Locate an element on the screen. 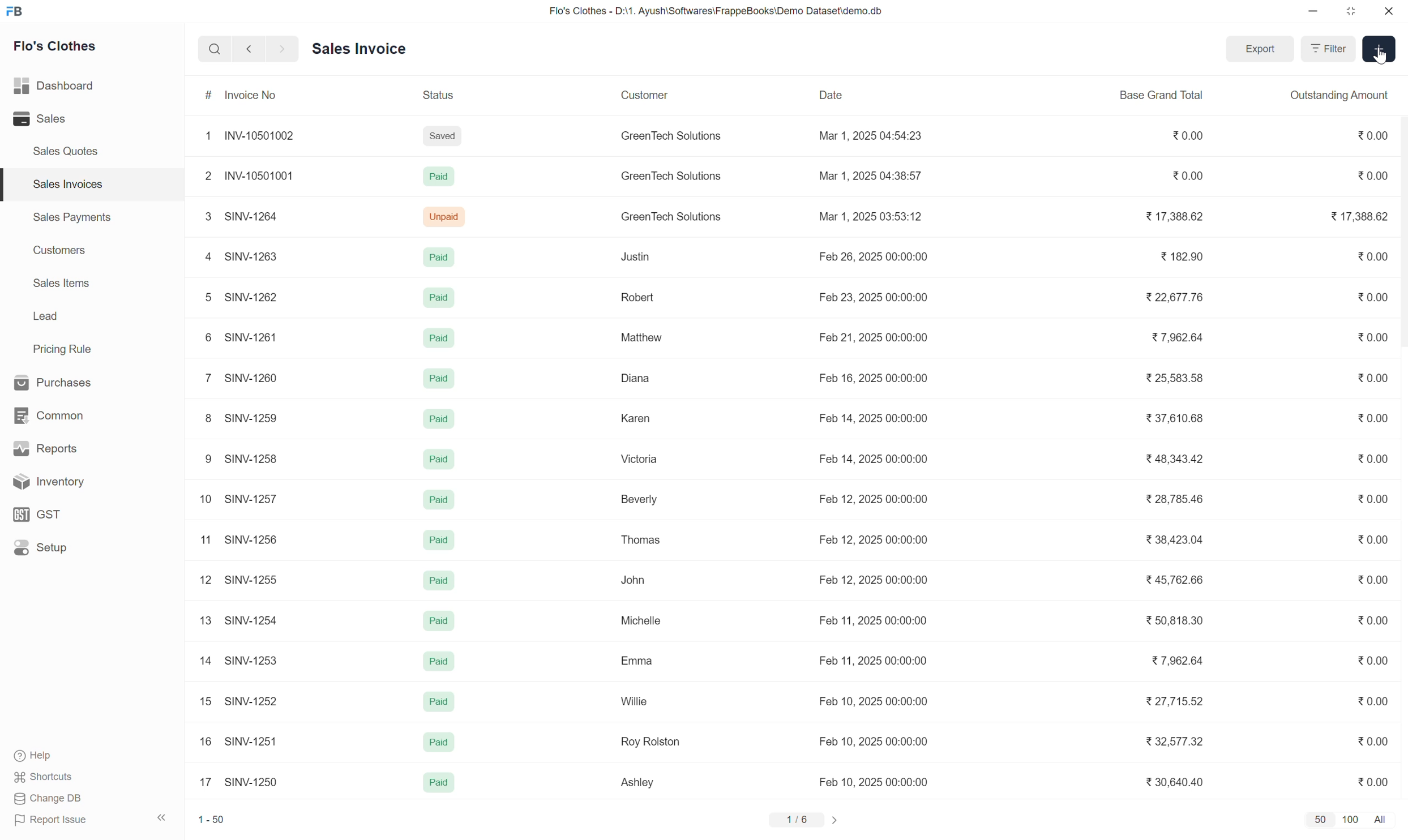 The width and height of the screenshot is (1408, 840). Purchases  is located at coordinates (71, 381).